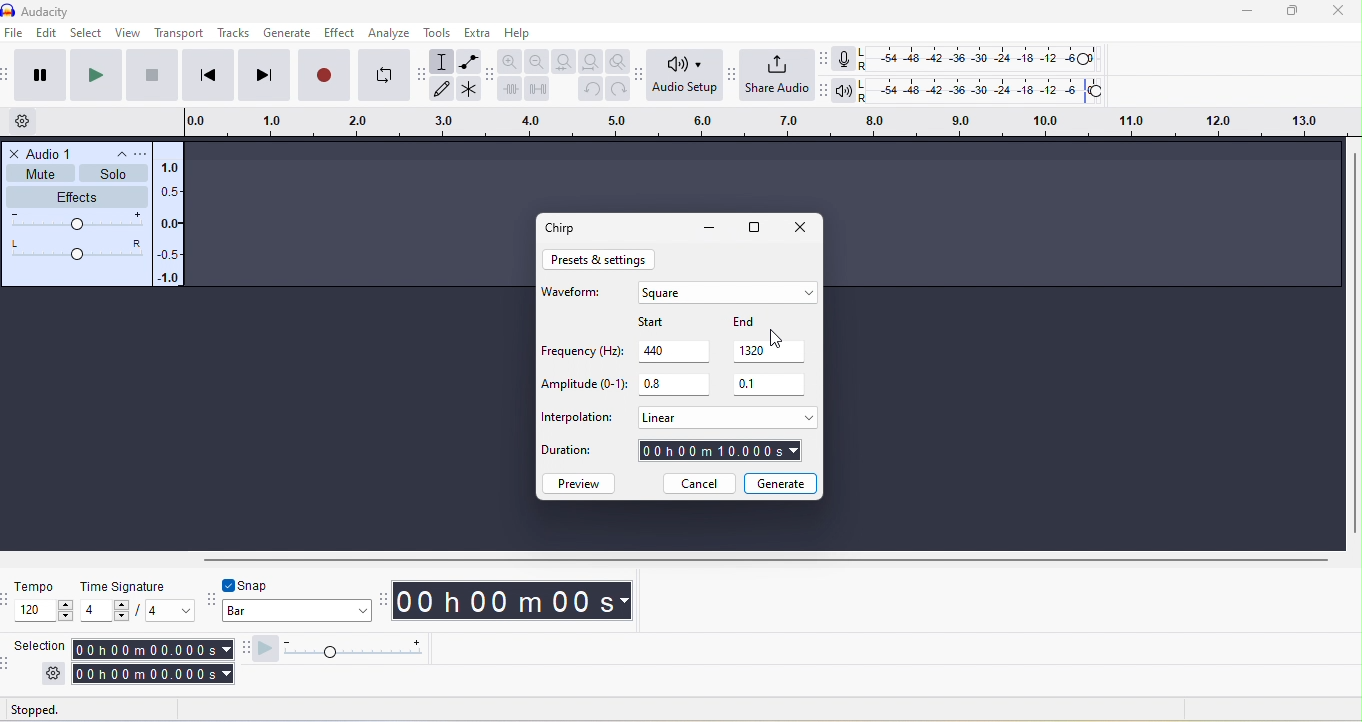  What do you see at coordinates (205, 76) in the screenshot?
I see `skip to start` at bounding box center [205, 76].